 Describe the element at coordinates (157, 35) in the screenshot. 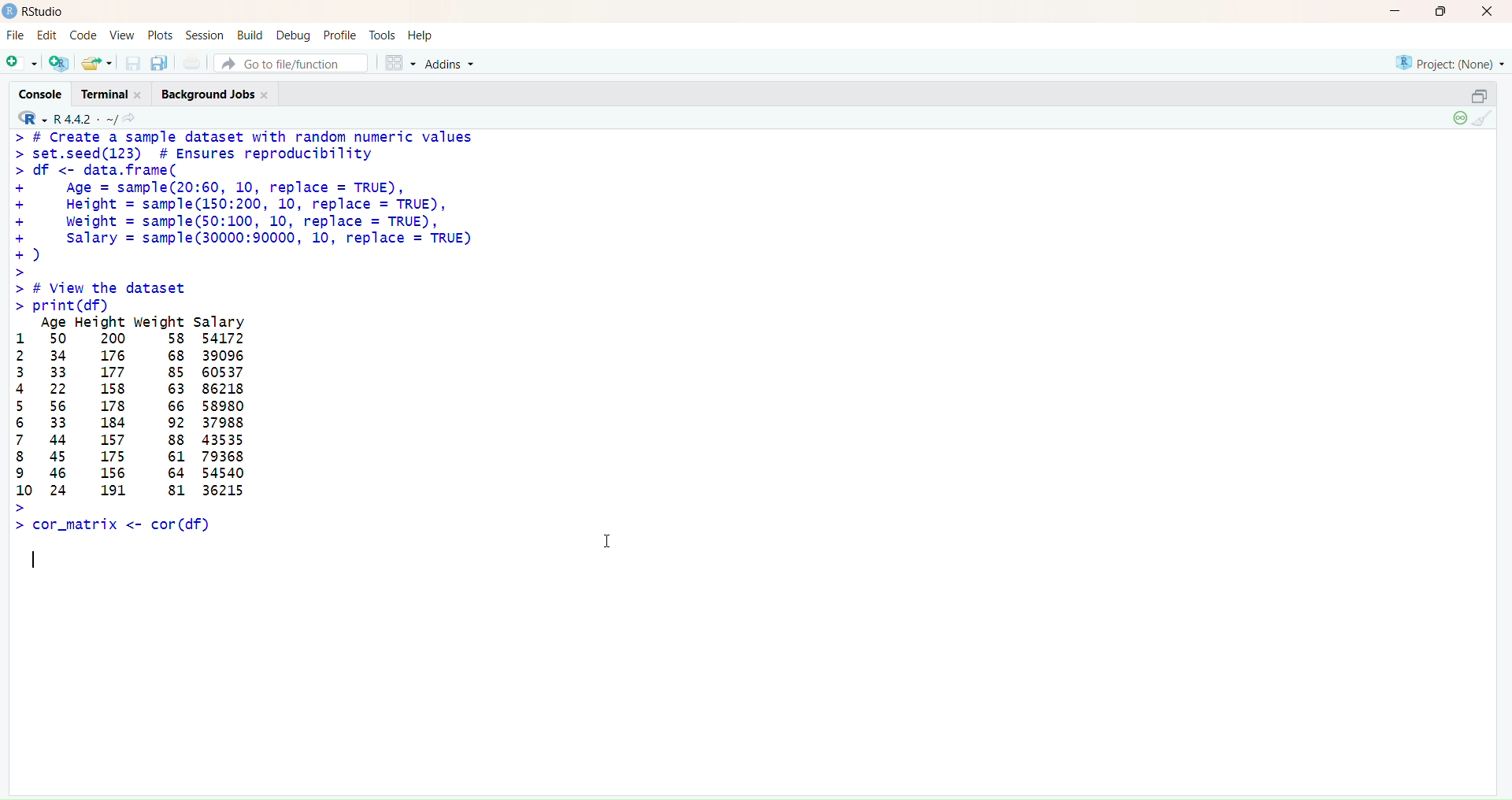

I see `Posts` at that location.